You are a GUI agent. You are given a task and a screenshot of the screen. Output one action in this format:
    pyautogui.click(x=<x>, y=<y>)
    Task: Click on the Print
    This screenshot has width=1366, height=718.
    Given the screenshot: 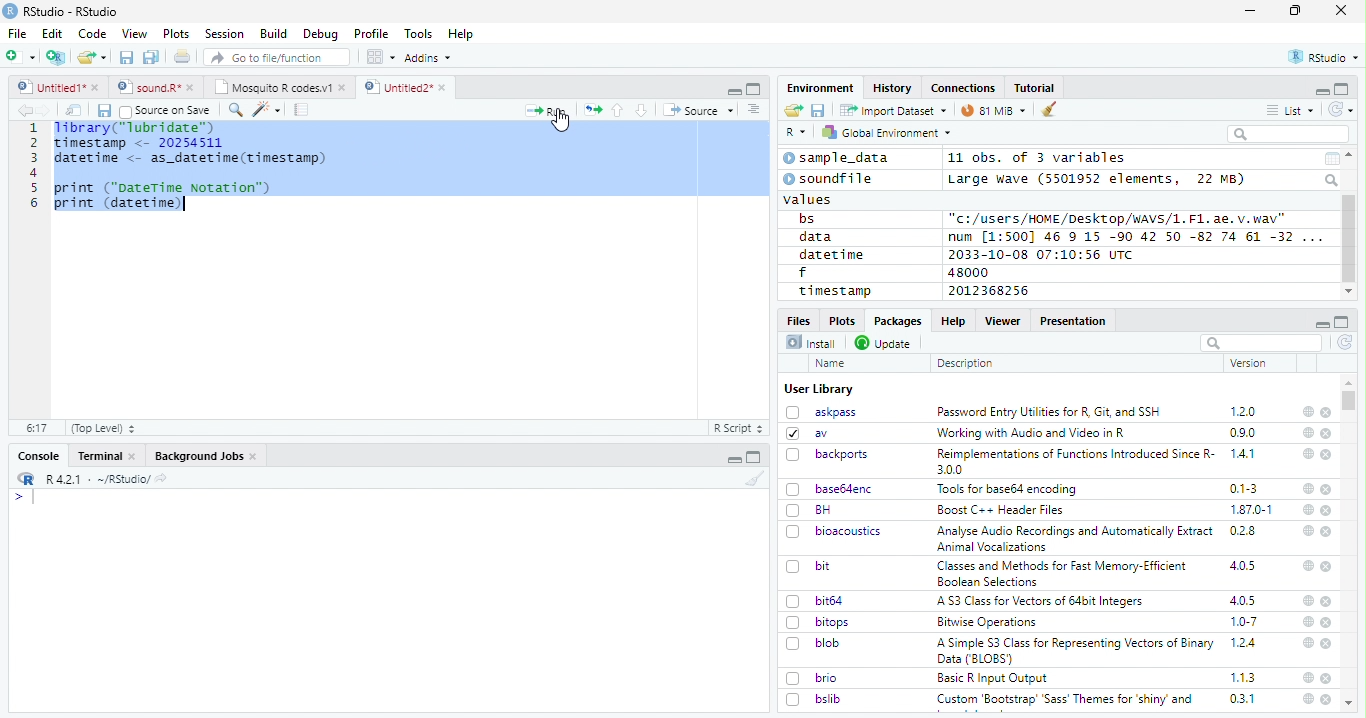 What is the action you would take?
    pyautogui.click(x=183, y=56)
    